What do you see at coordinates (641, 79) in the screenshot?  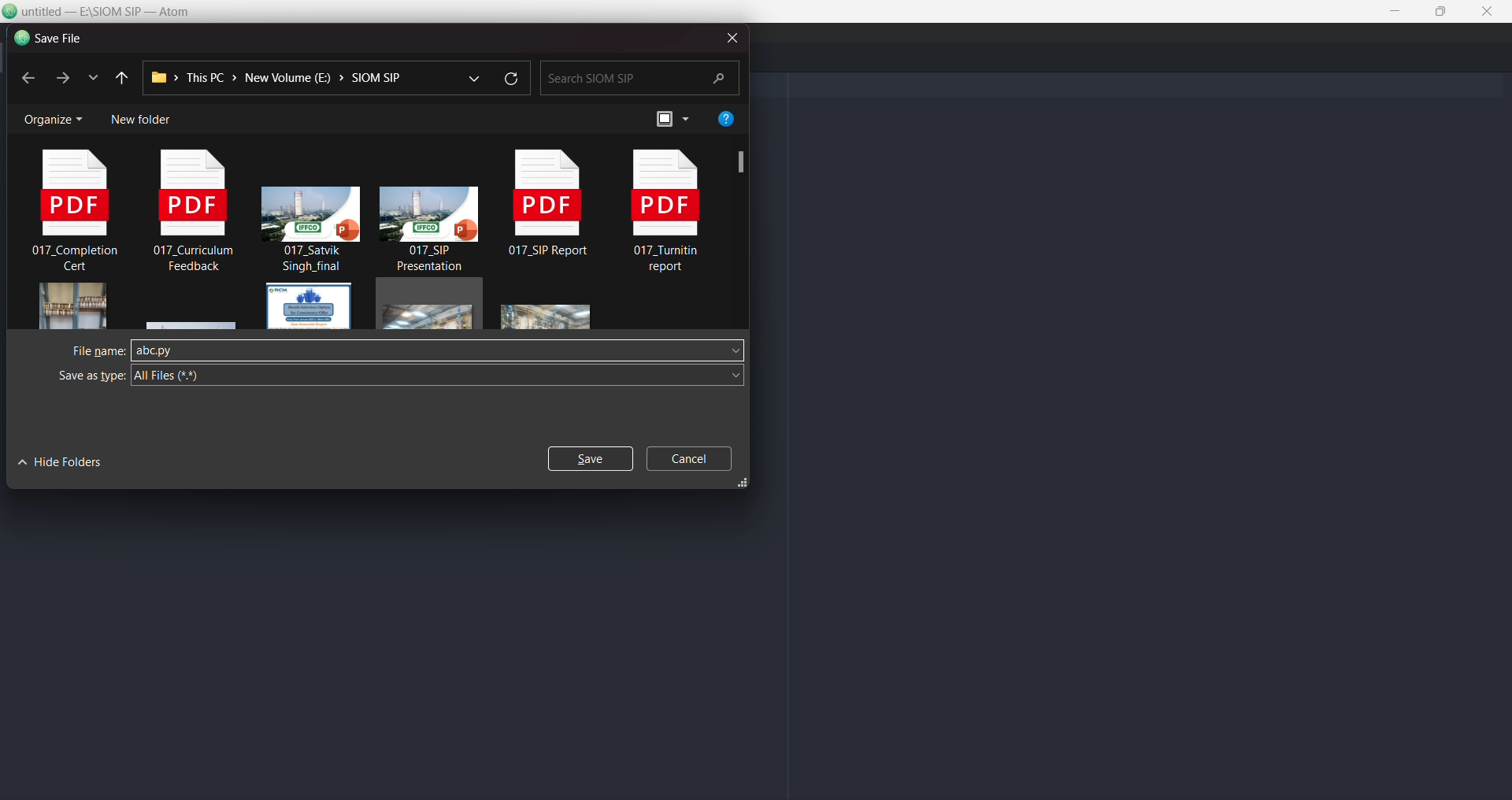 I see `search` at bounding box center [641, 79].